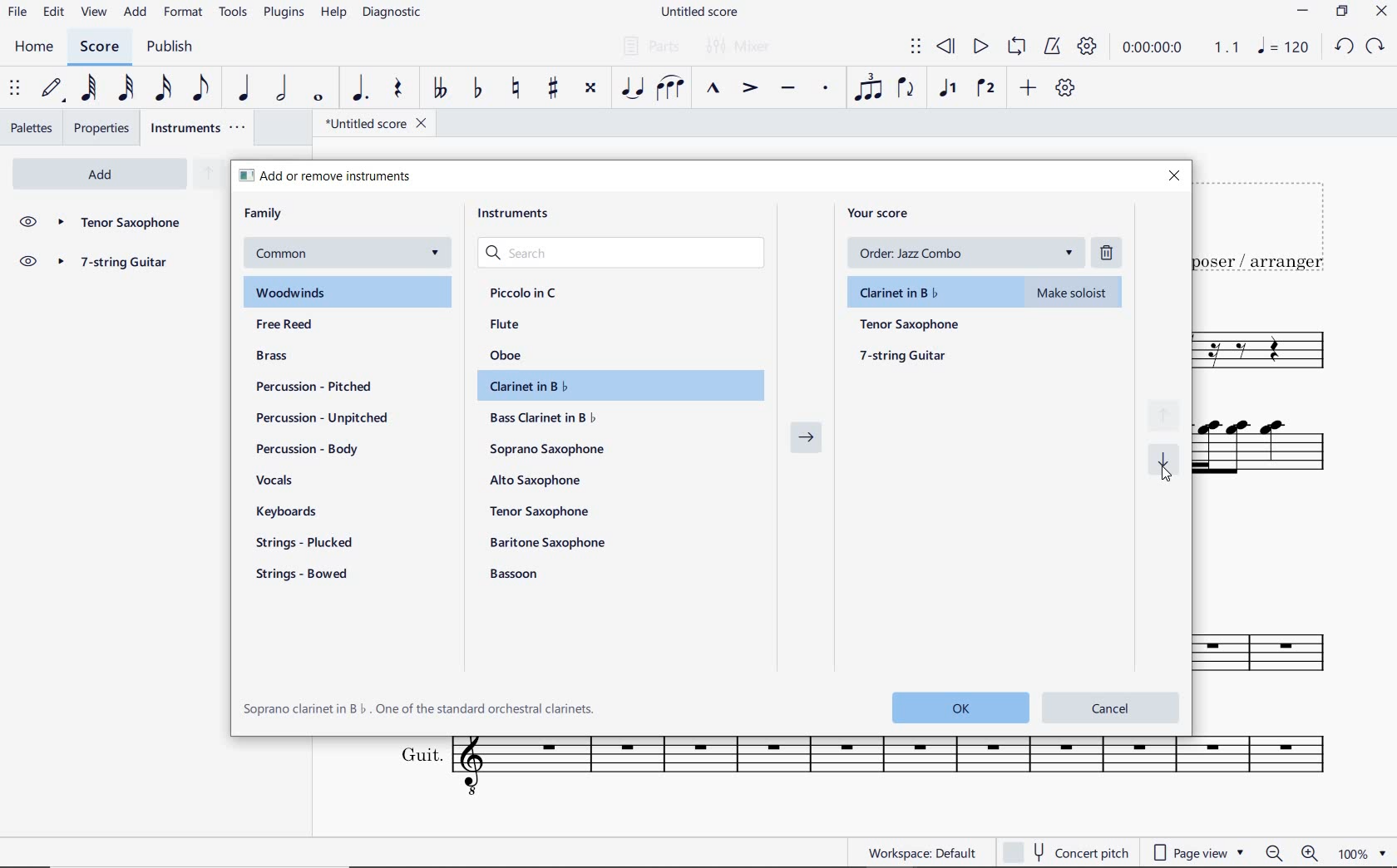 The width and height of the screenshot is (1397, 868). Describe the element at coordinates (539, 481) in the screenshot. I see `alto saxophone` at that location.